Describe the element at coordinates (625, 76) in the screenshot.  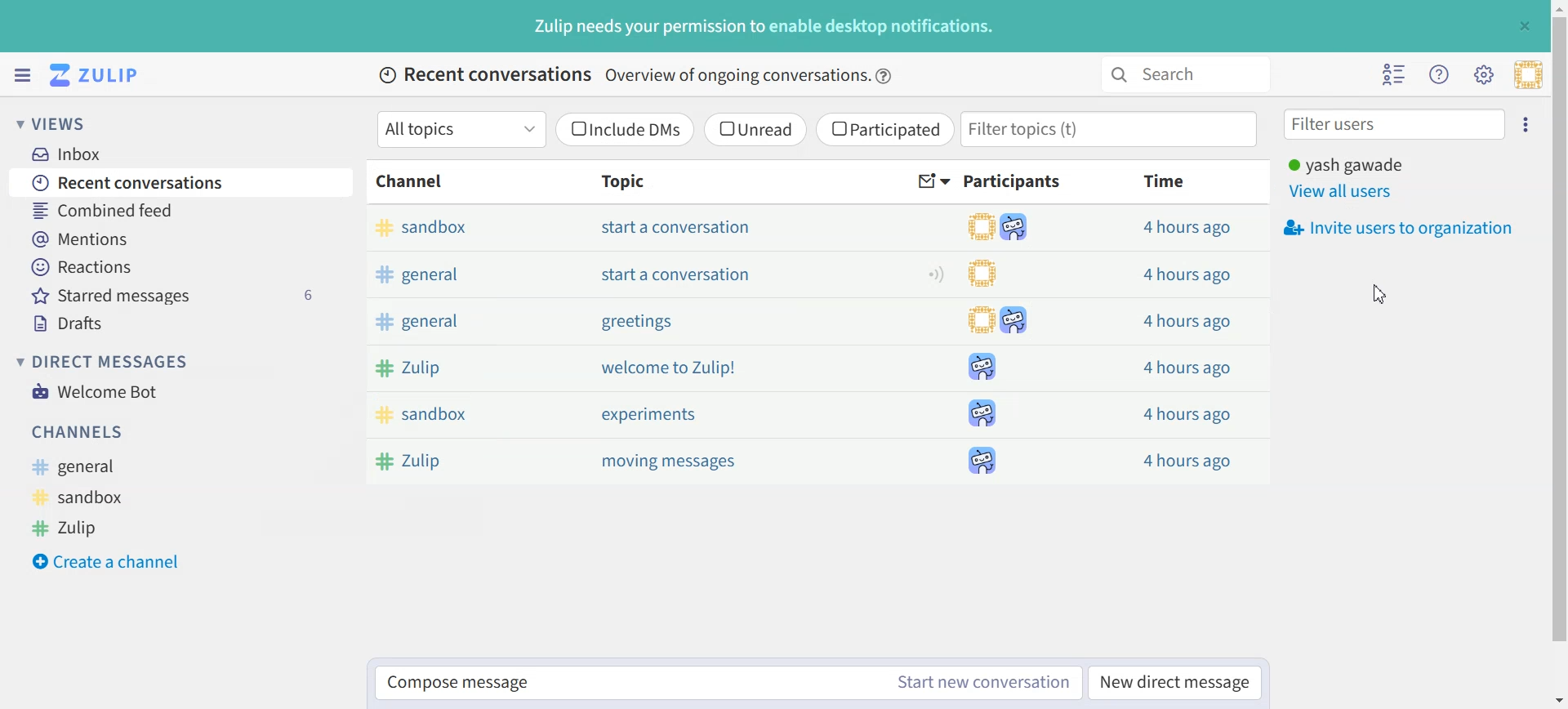
I see `Text` at that location.